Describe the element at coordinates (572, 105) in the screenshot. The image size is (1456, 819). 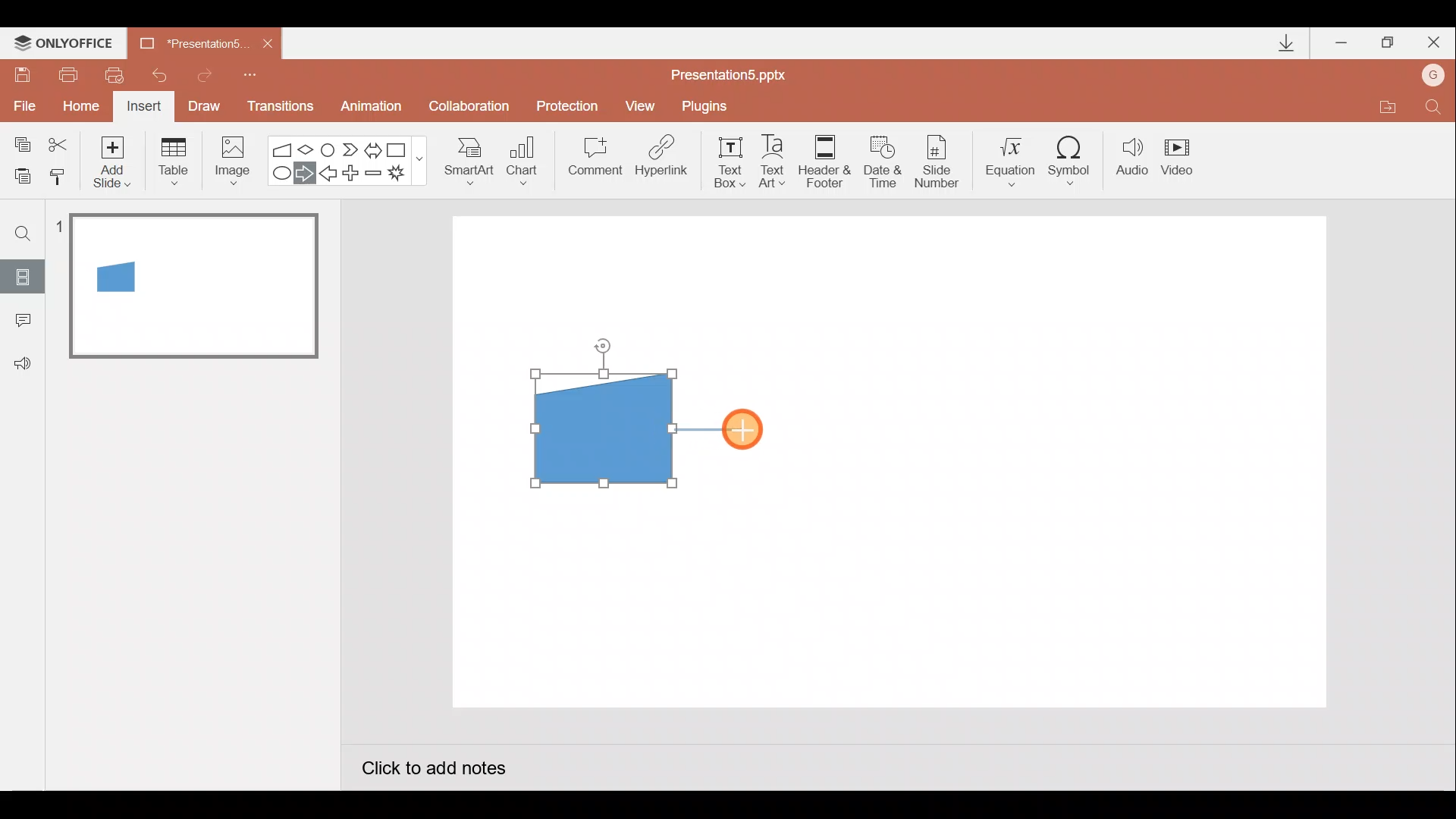
I see `Protection` at that location.